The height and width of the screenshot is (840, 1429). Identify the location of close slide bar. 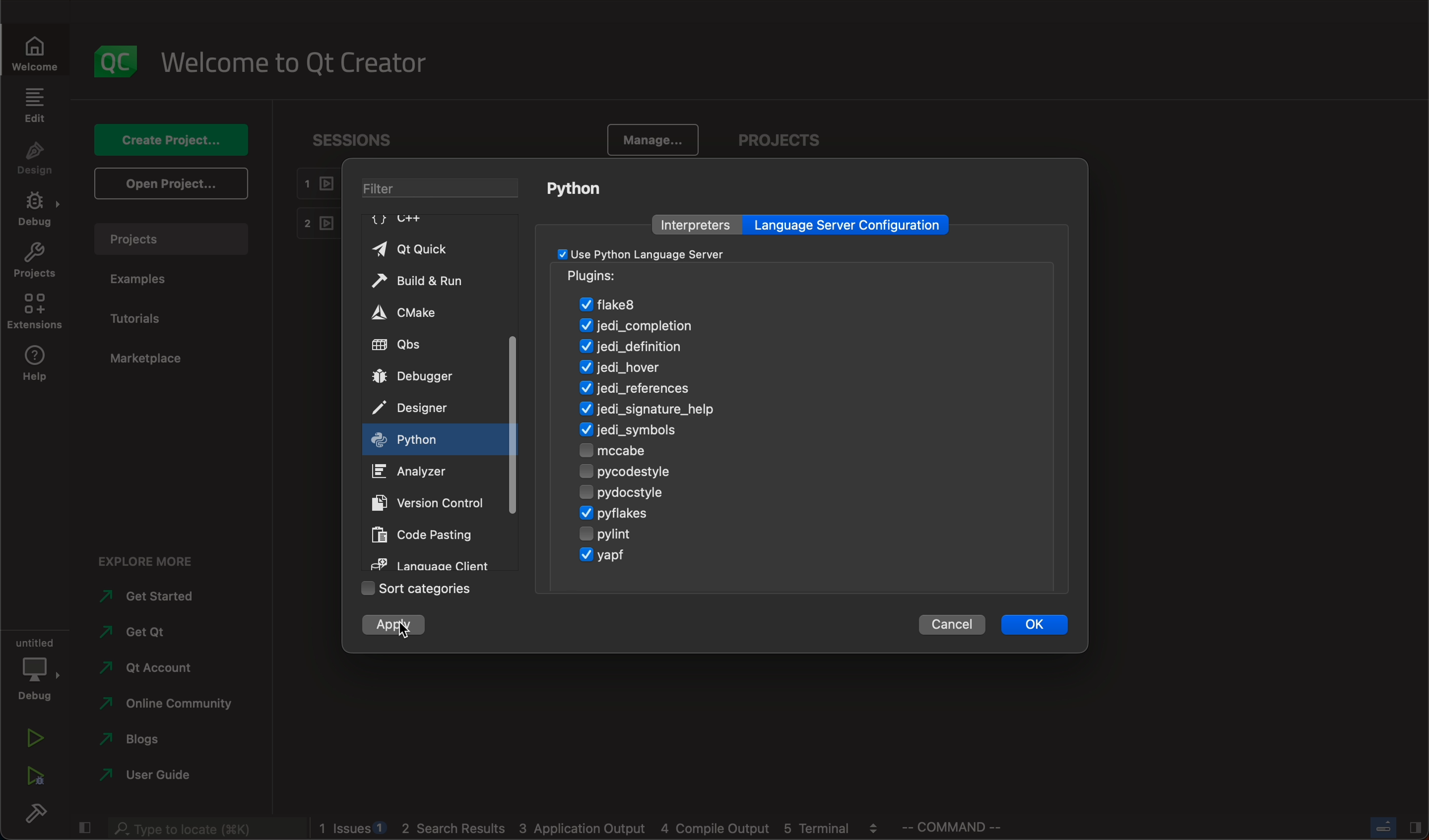
(1393, 827).